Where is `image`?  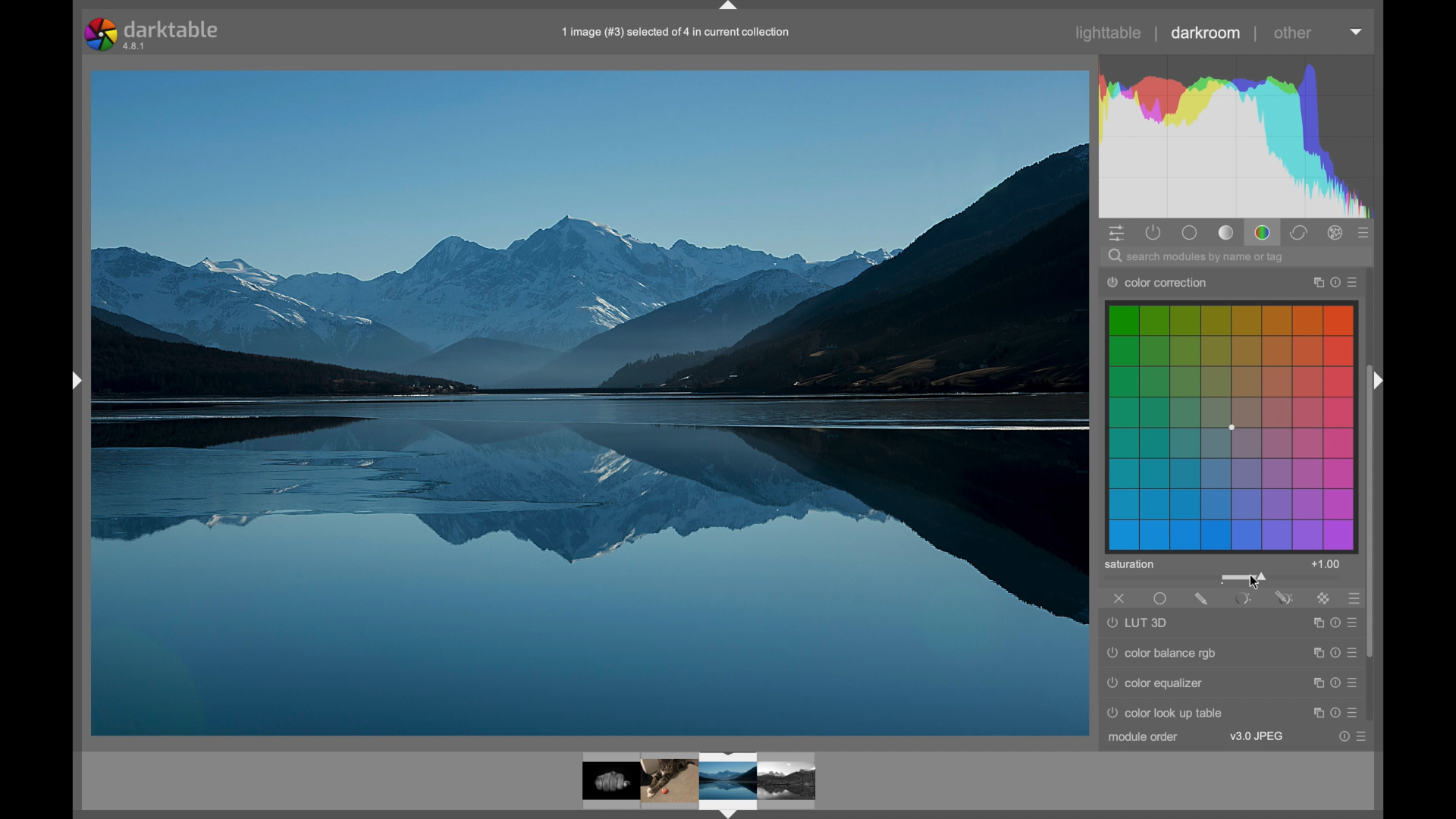
image is located at coordinates (789, 780).